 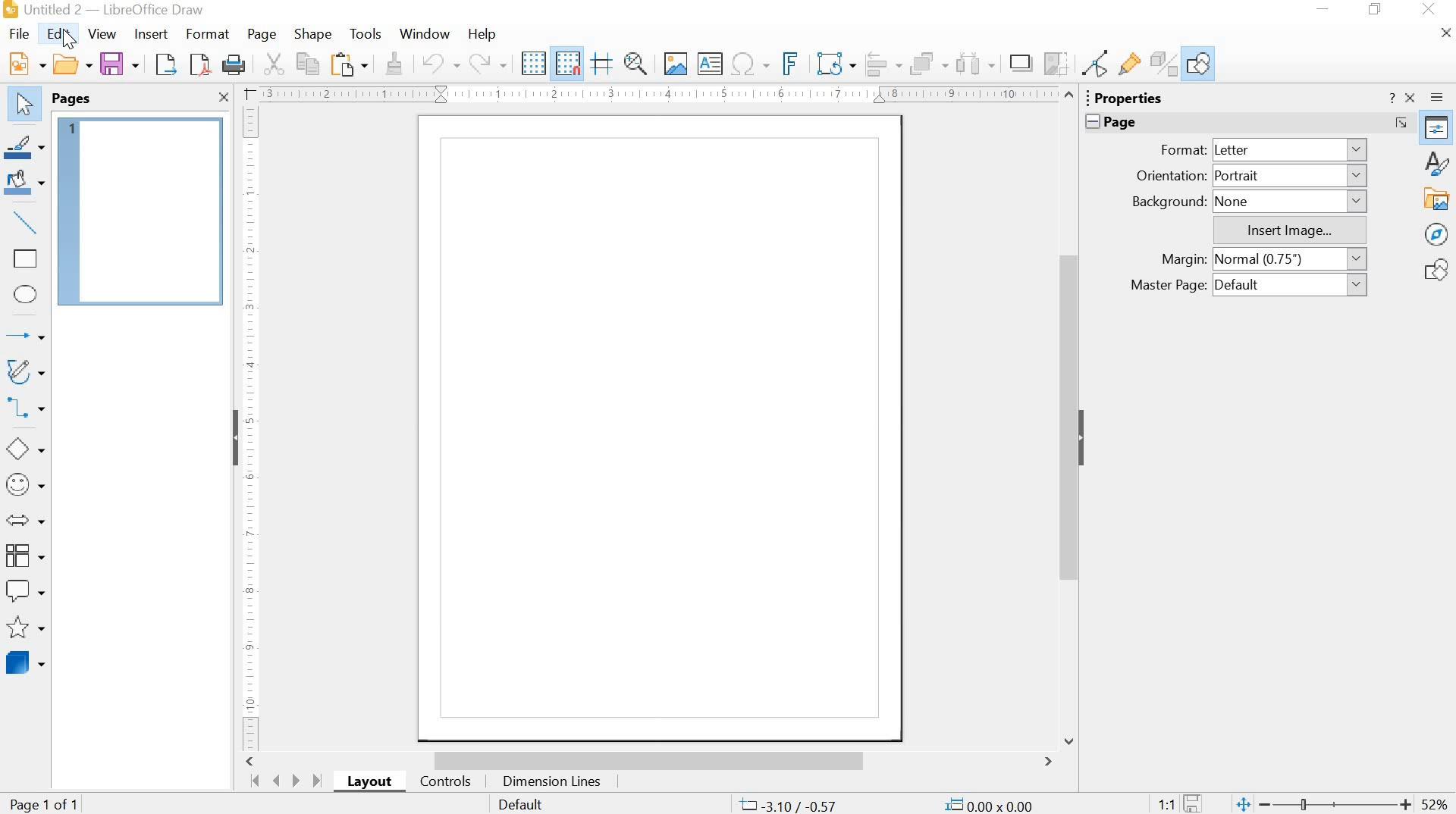 What do you see at coordinates (446, 784) in the screenshot?
I see `controls` at bounding box center [446, 784].